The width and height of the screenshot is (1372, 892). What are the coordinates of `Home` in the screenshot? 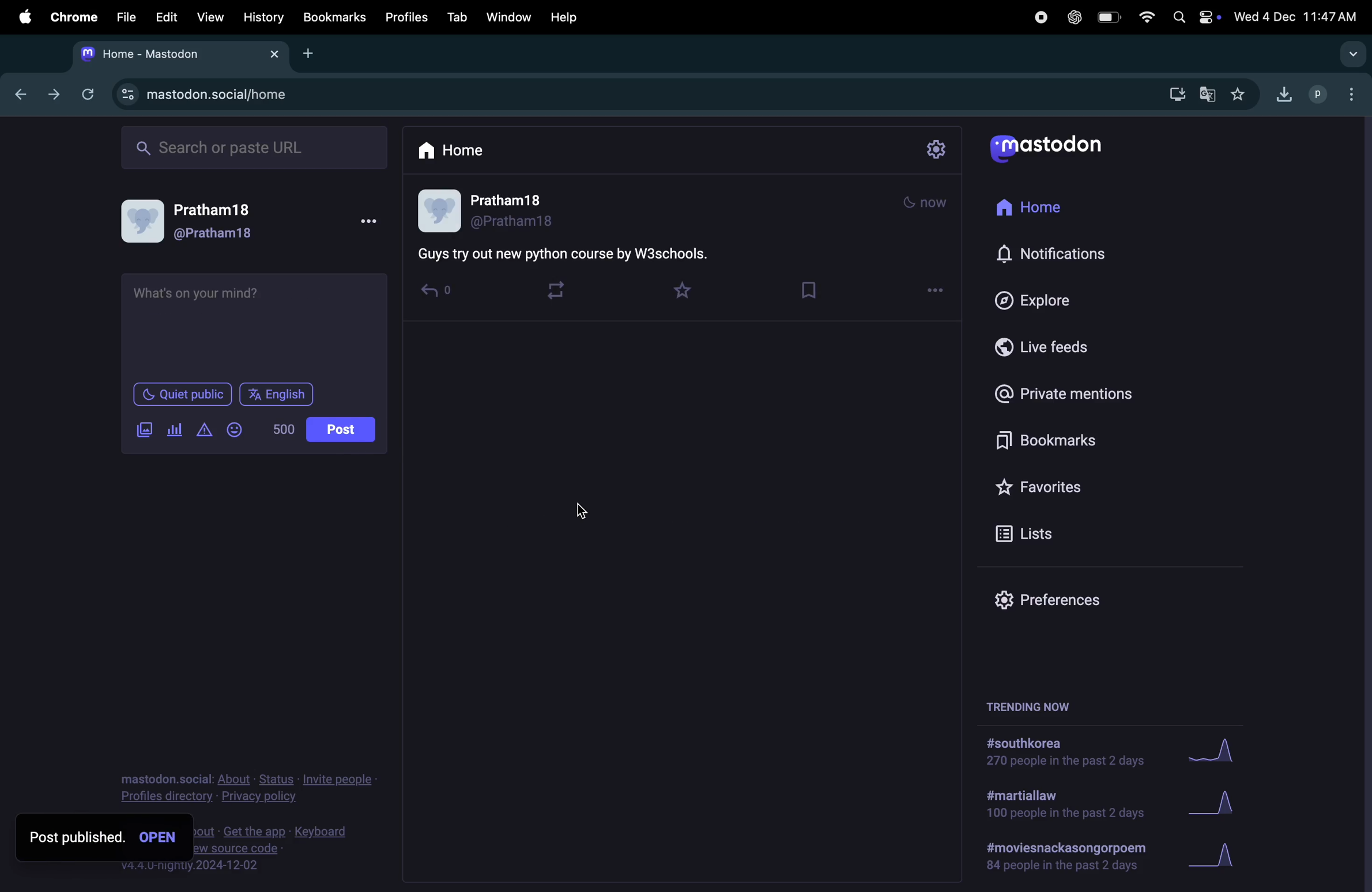 It's located at (461, 153).